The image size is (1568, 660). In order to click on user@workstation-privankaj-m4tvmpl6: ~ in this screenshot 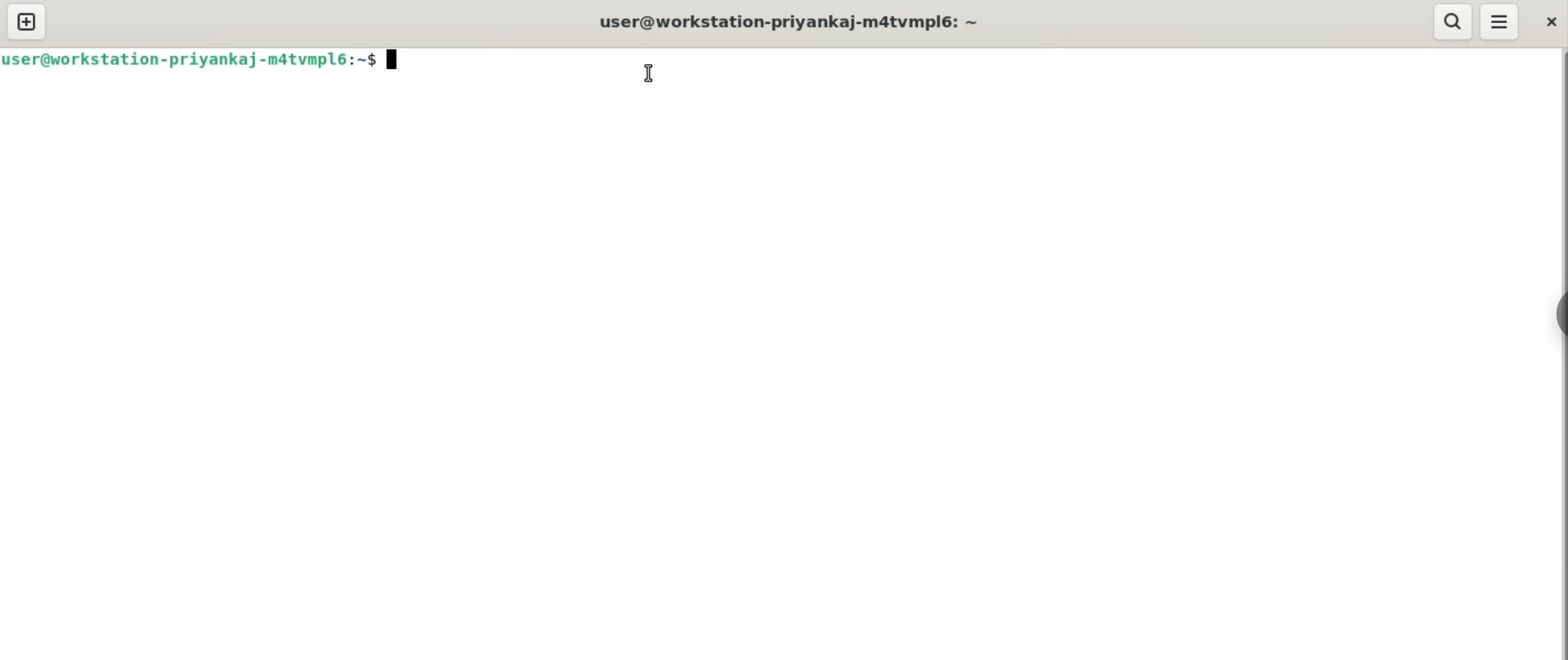, I will do `click(791, 20)`.